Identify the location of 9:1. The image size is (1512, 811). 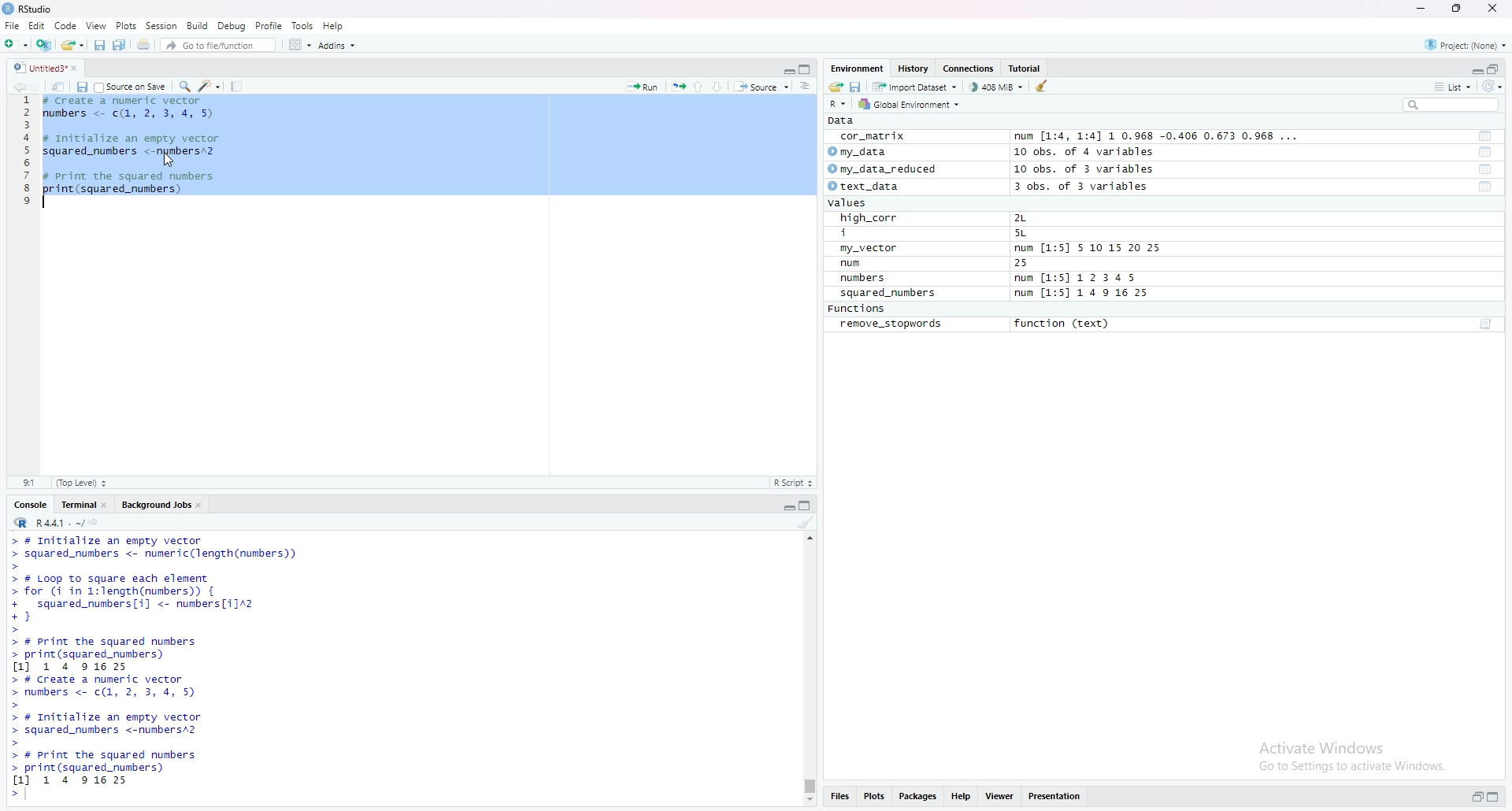
(28, 482).